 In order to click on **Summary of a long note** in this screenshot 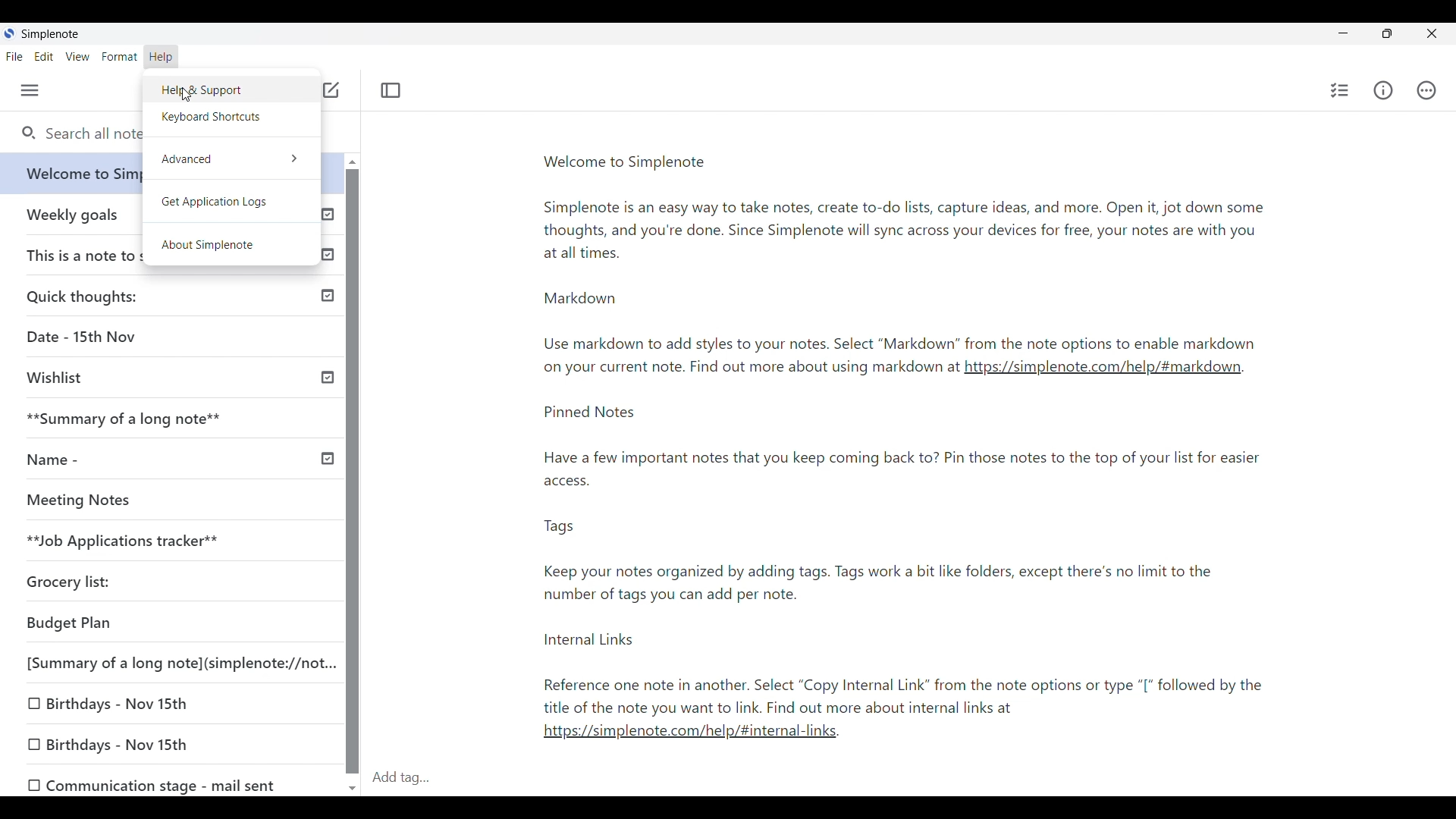, I will do `click(127, 419)`.